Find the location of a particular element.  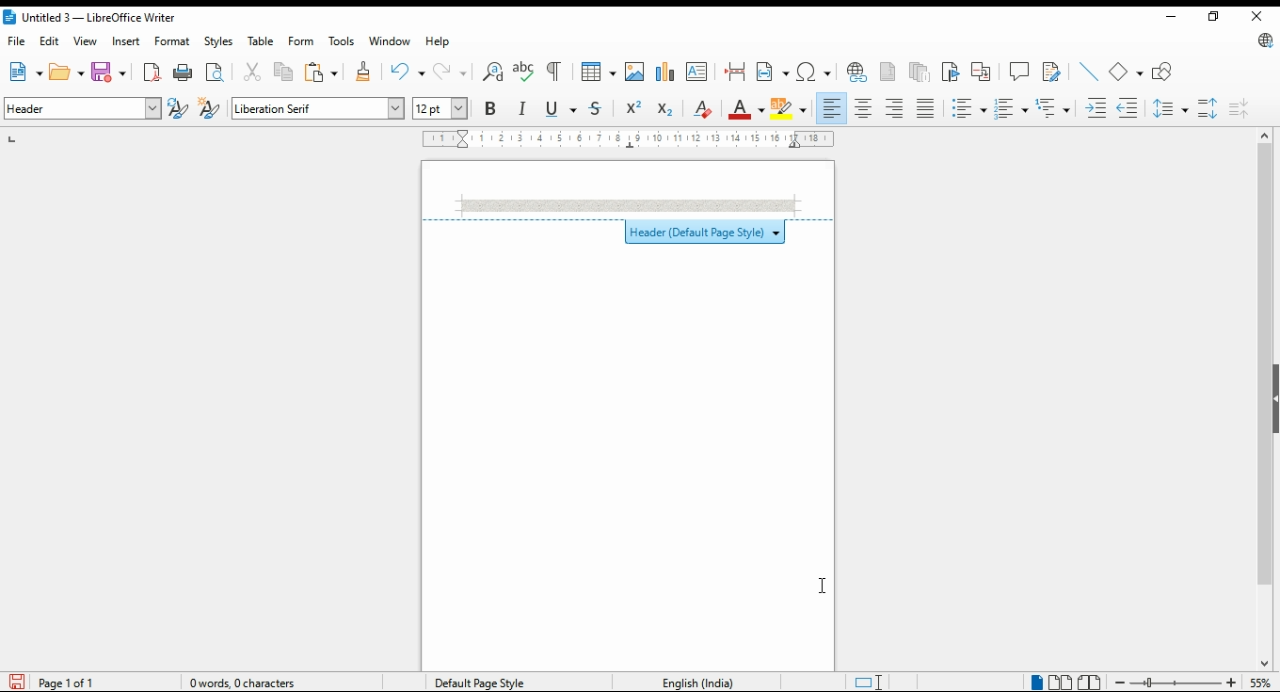

language is located at coordinates (696, 681).